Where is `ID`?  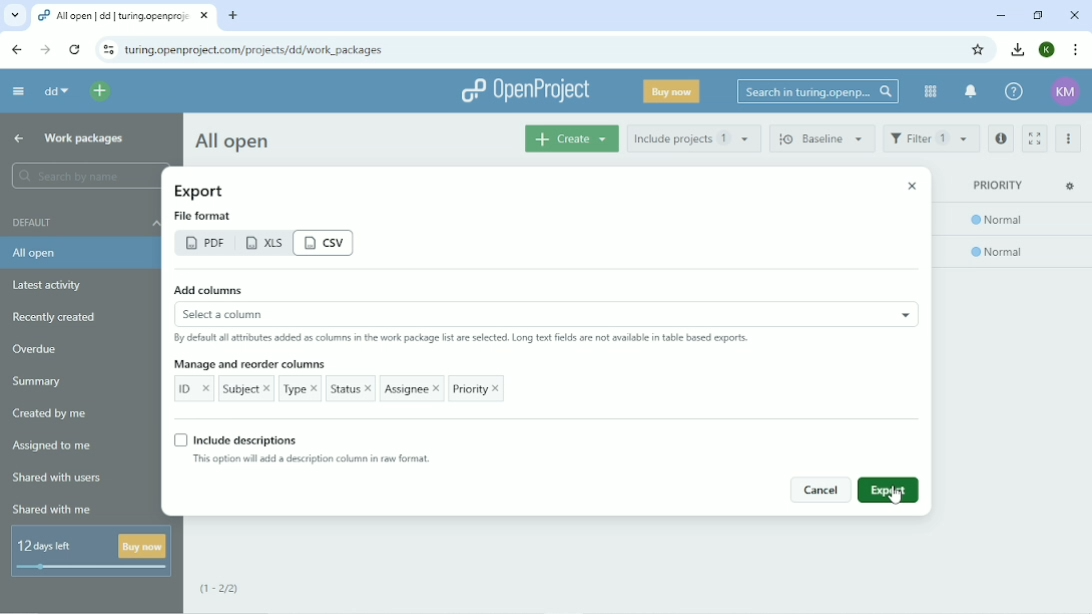
ID is located at coordinates (193, 389).